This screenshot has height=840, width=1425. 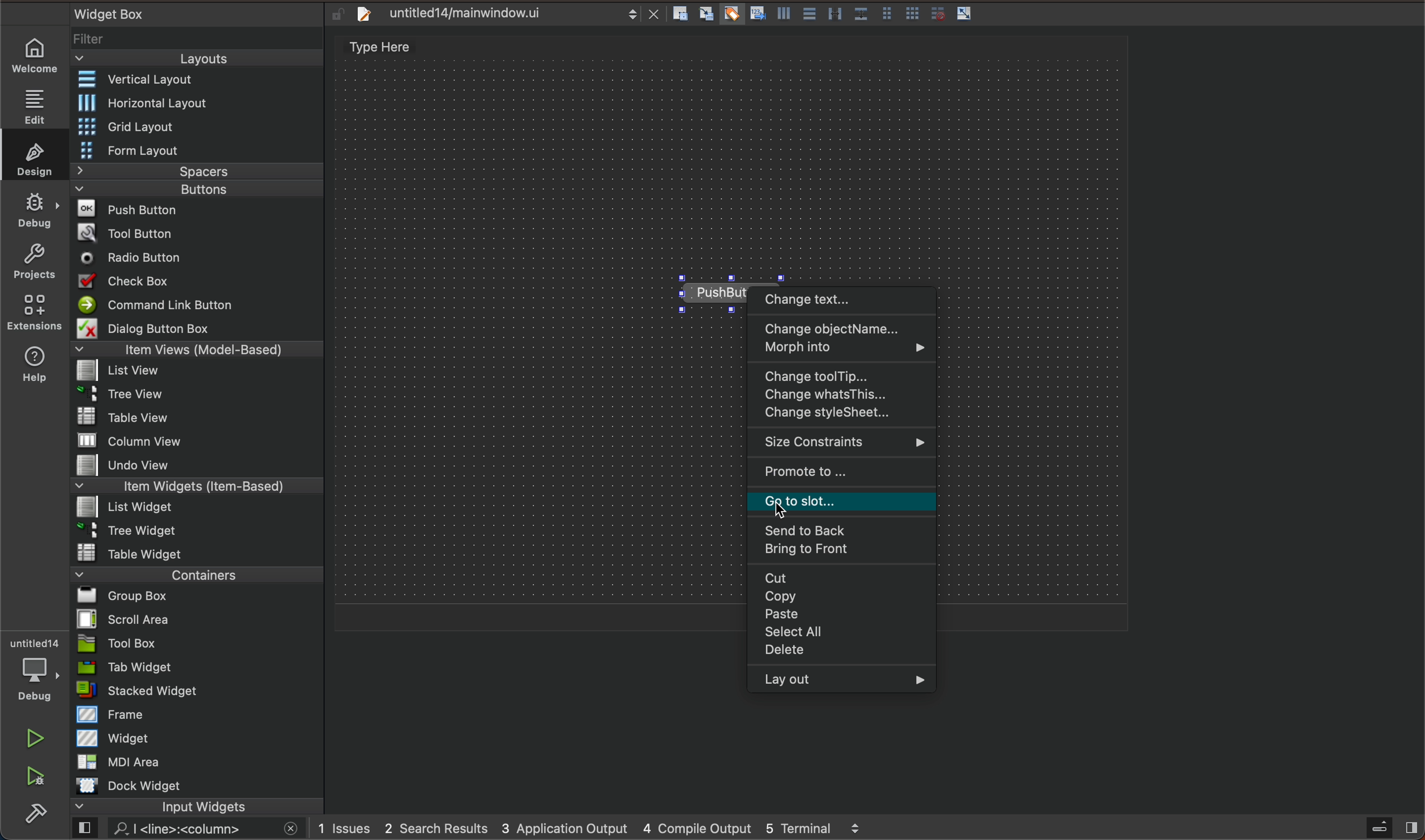 What do you see at coordinates (797, 502) in the screenshot?
I see `cursor` at bounding box center [797, 502].